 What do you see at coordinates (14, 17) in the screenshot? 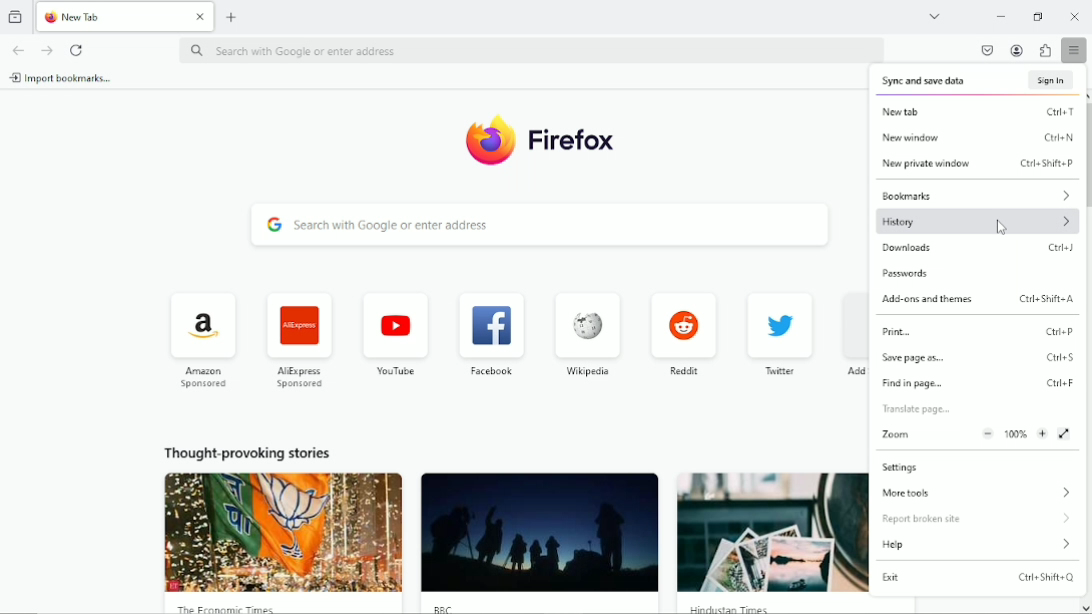
I see `View recent browsing` at bounding box center [14, 17].